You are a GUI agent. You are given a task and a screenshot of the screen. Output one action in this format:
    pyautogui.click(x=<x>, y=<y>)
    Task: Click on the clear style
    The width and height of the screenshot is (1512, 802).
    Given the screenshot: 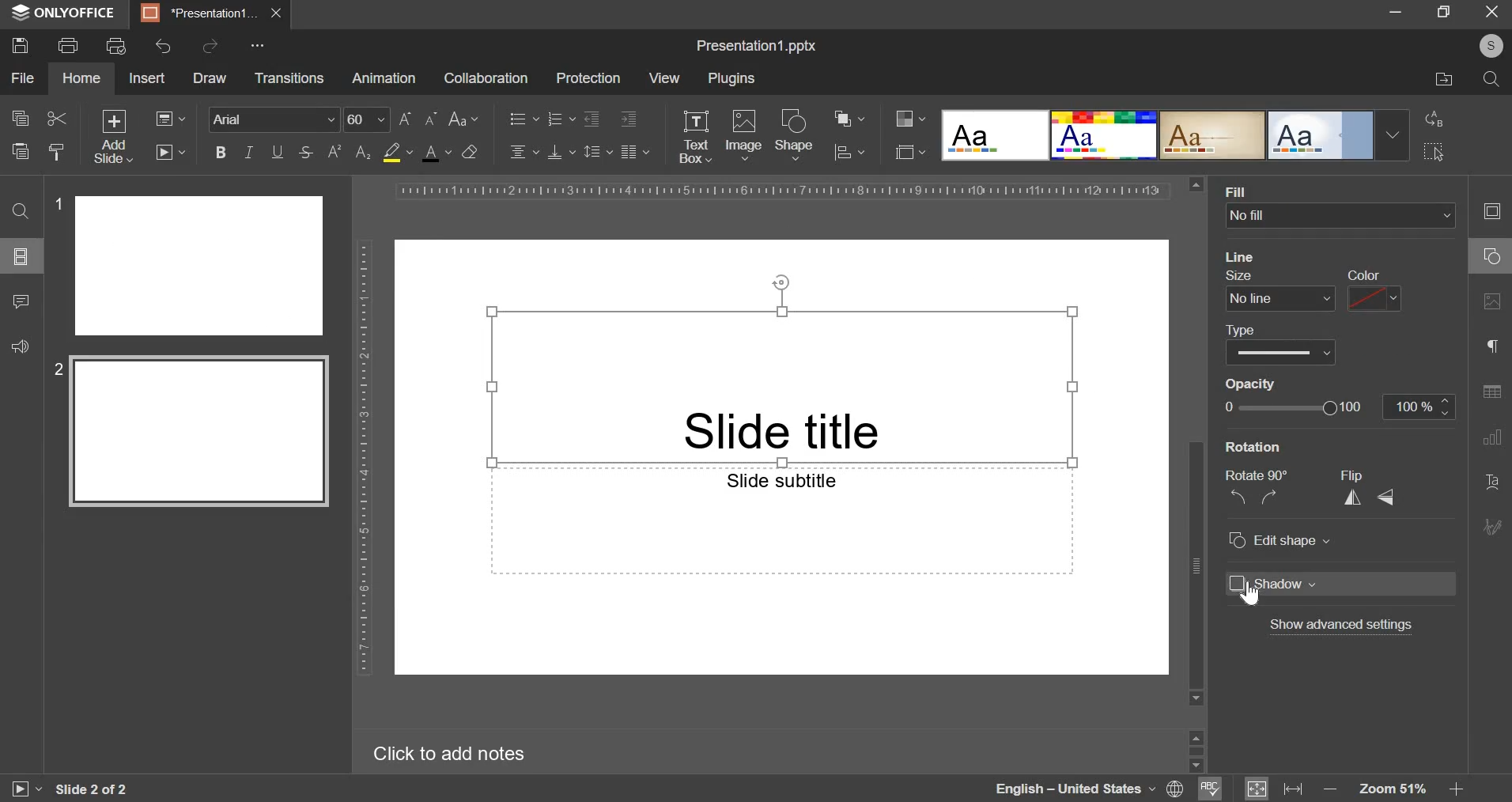 What is the action you would take?
    pyautogui.click(x=57, y=151)
    